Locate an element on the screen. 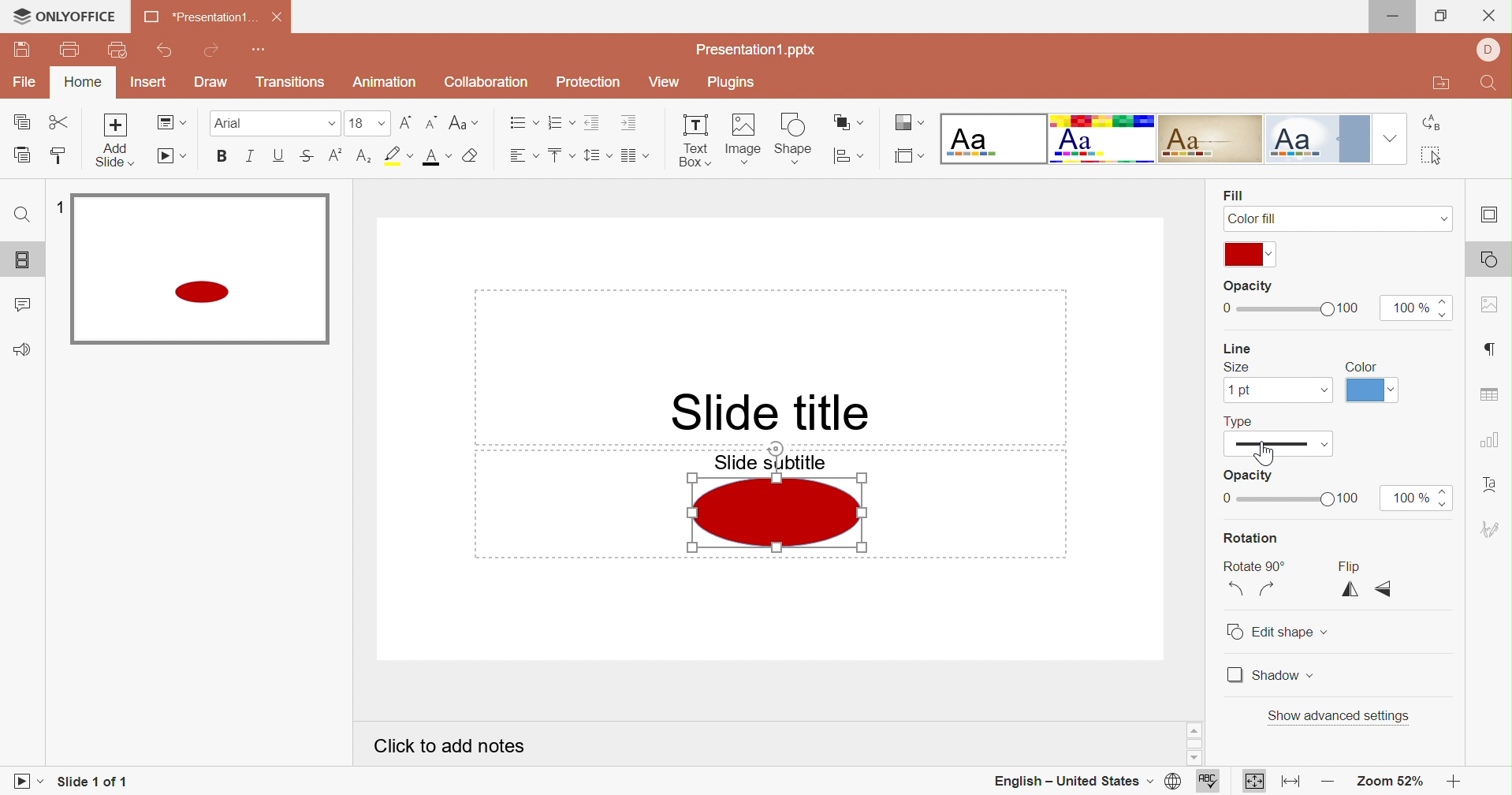  Rotate 90° is located at coordinates (1254, 565).